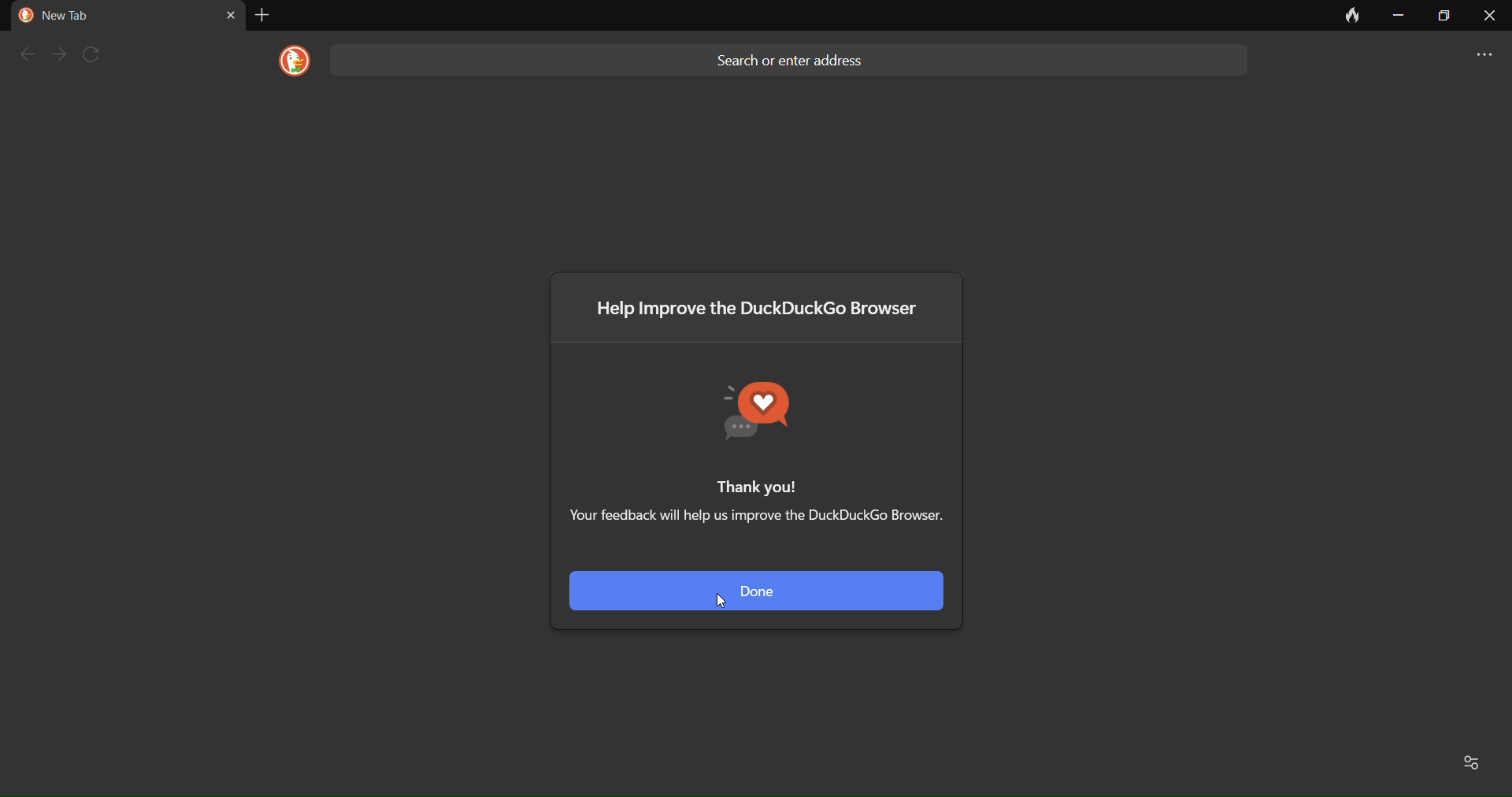 Image resolution: width=1512 pixels, height=797 pixels. Describe the element at coordinates (795, 57) in the screenshot. I see `Search or enter address` at that location.